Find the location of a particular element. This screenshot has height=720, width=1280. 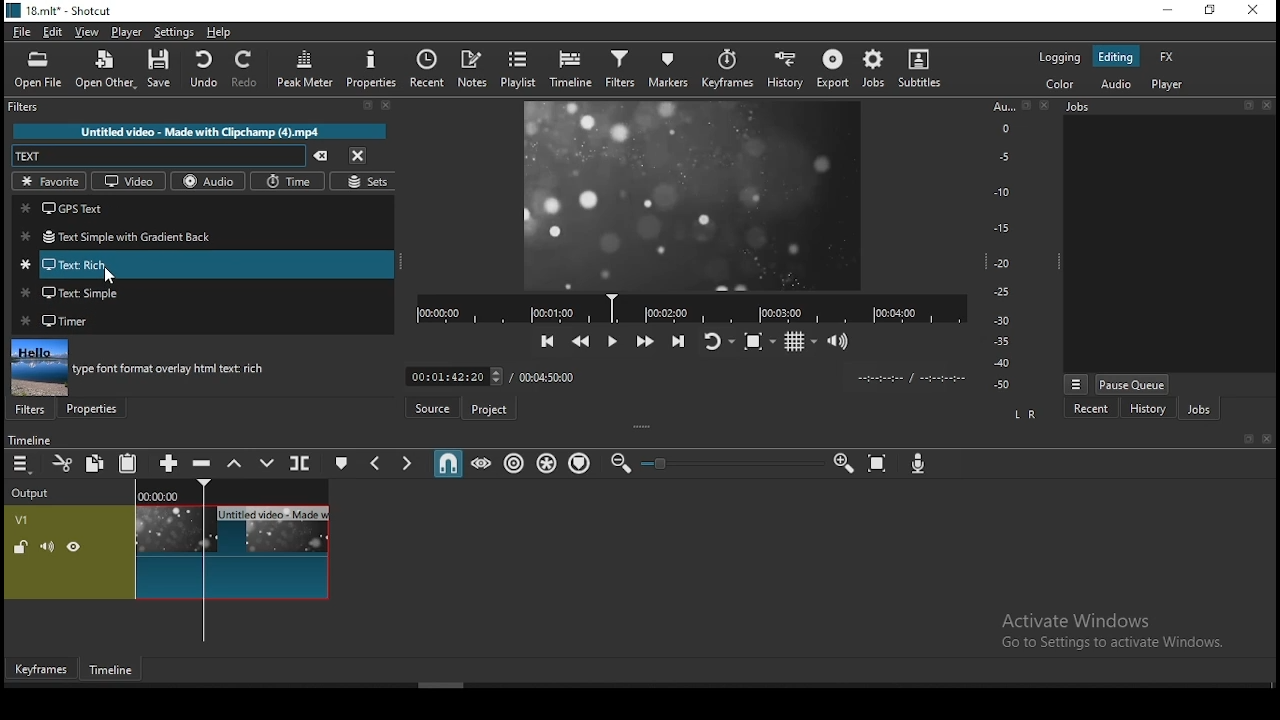

logging is located at coordinates (1061, 57).